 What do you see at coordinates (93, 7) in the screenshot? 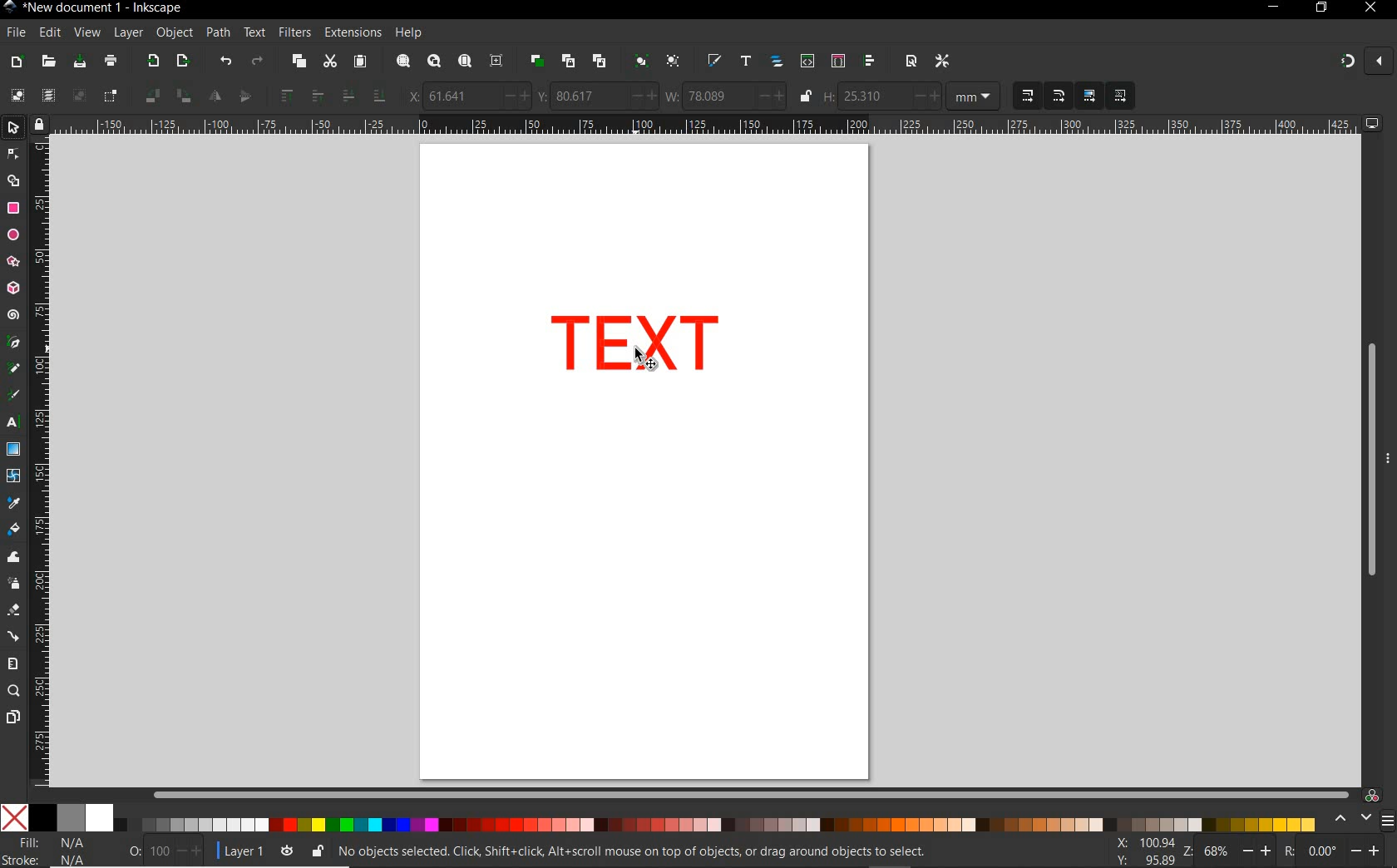
I see `file name` at bounding box center [93, 7].